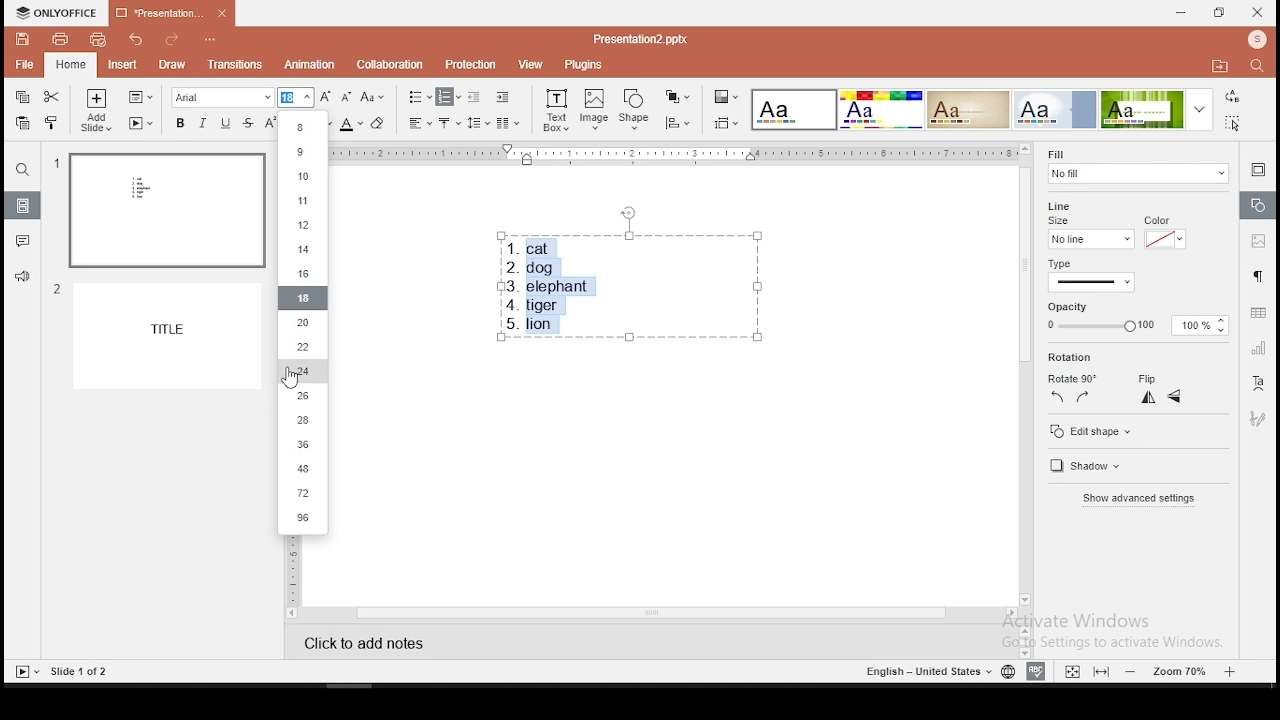  Describe the element at coordinates (24, 63) in the screenshot. I see `file` at that location.